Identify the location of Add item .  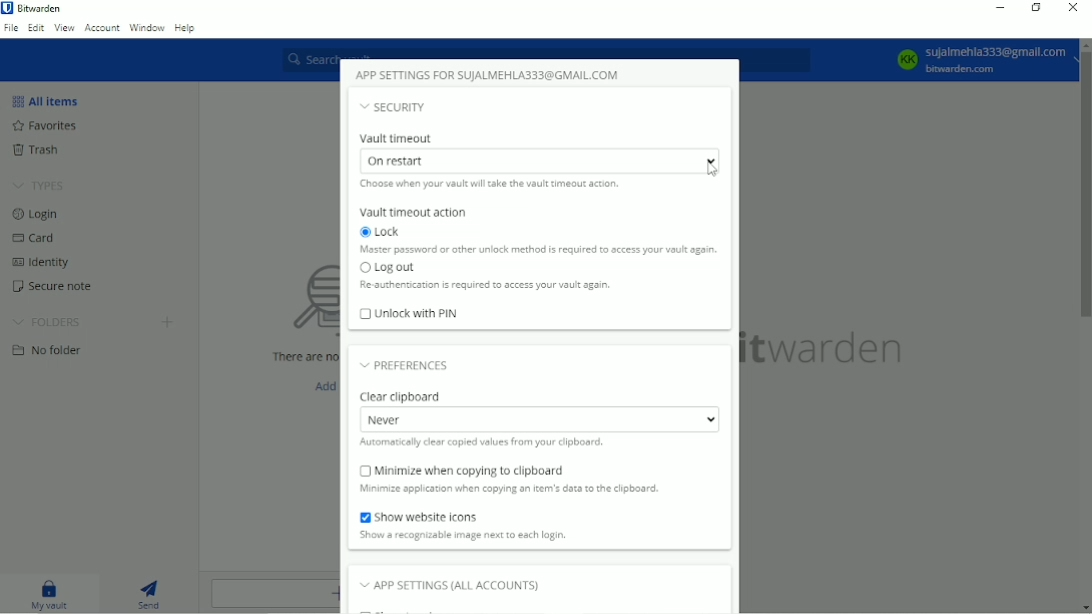
(320, 385).